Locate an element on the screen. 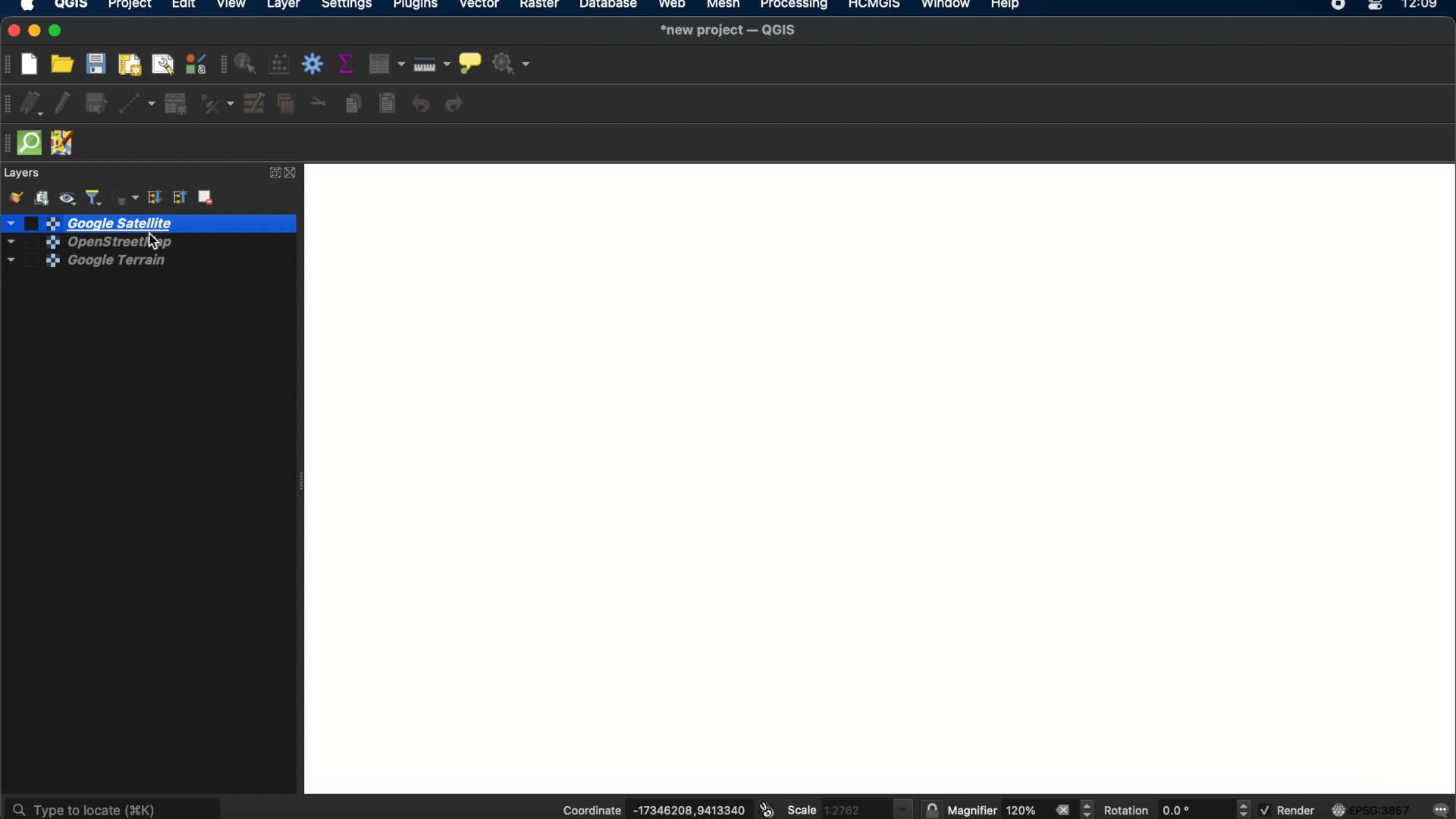 Image resolution: width=1456 pixels, height=819 pixels. open field calculator is located at coordinates (281, 65).